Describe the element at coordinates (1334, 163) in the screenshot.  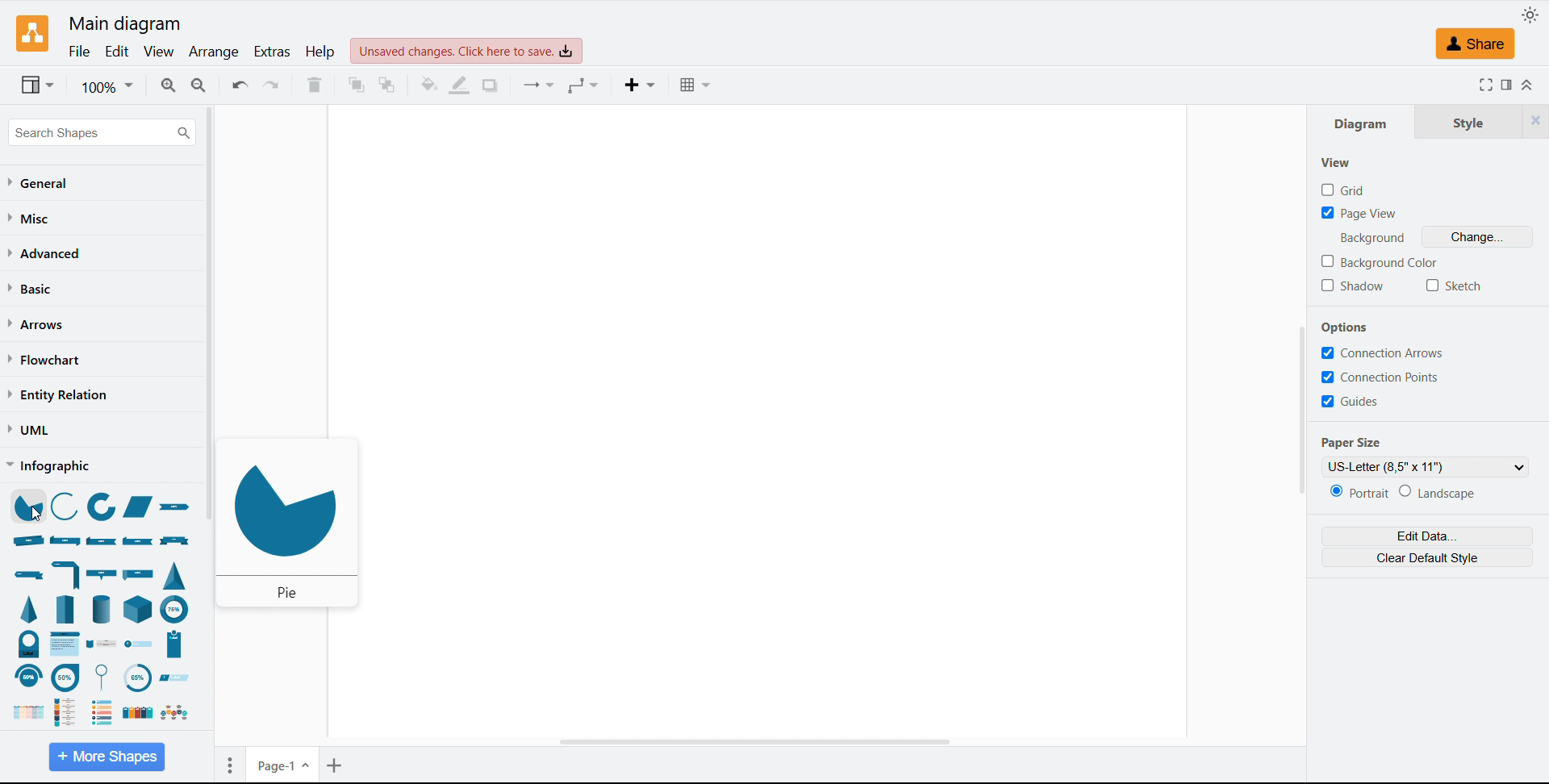
I see `View ` at that location.